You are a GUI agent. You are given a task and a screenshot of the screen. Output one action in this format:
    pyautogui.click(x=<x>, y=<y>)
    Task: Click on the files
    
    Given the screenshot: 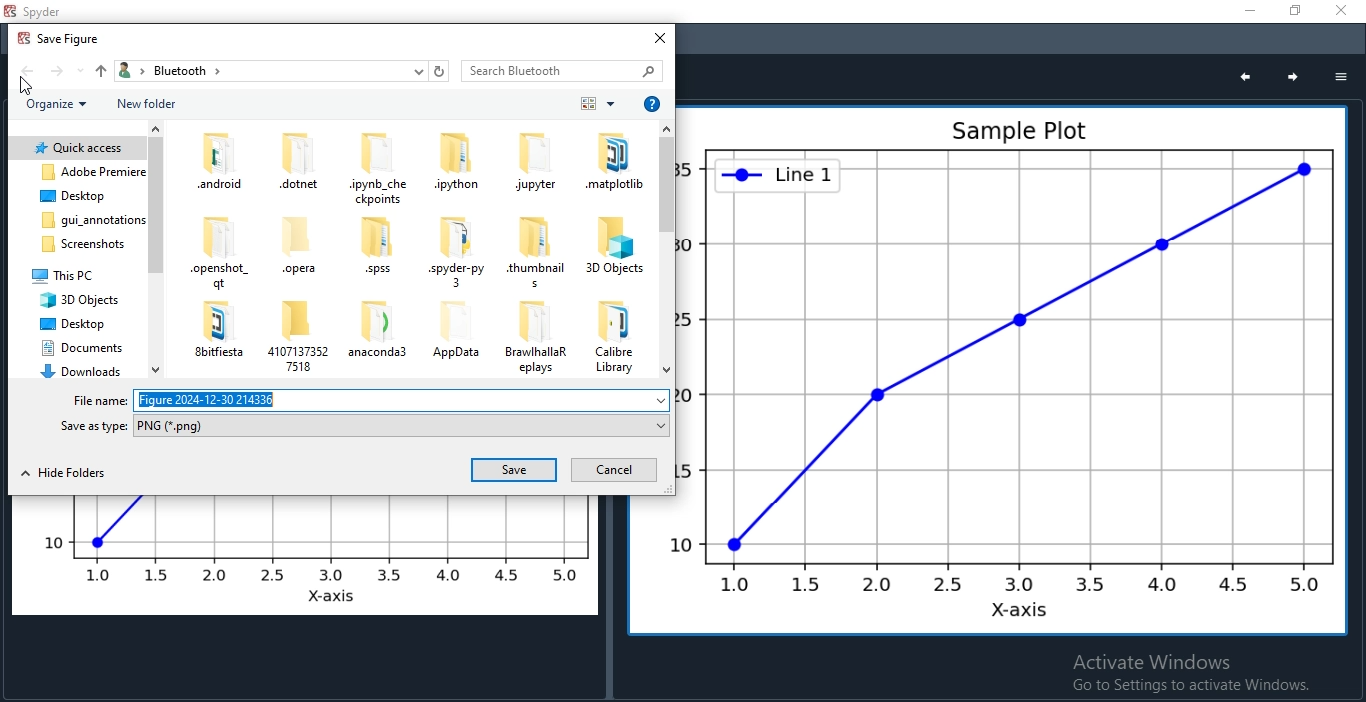 What is the action you would take?
    pyautogui.click(x=614, y=165)
    